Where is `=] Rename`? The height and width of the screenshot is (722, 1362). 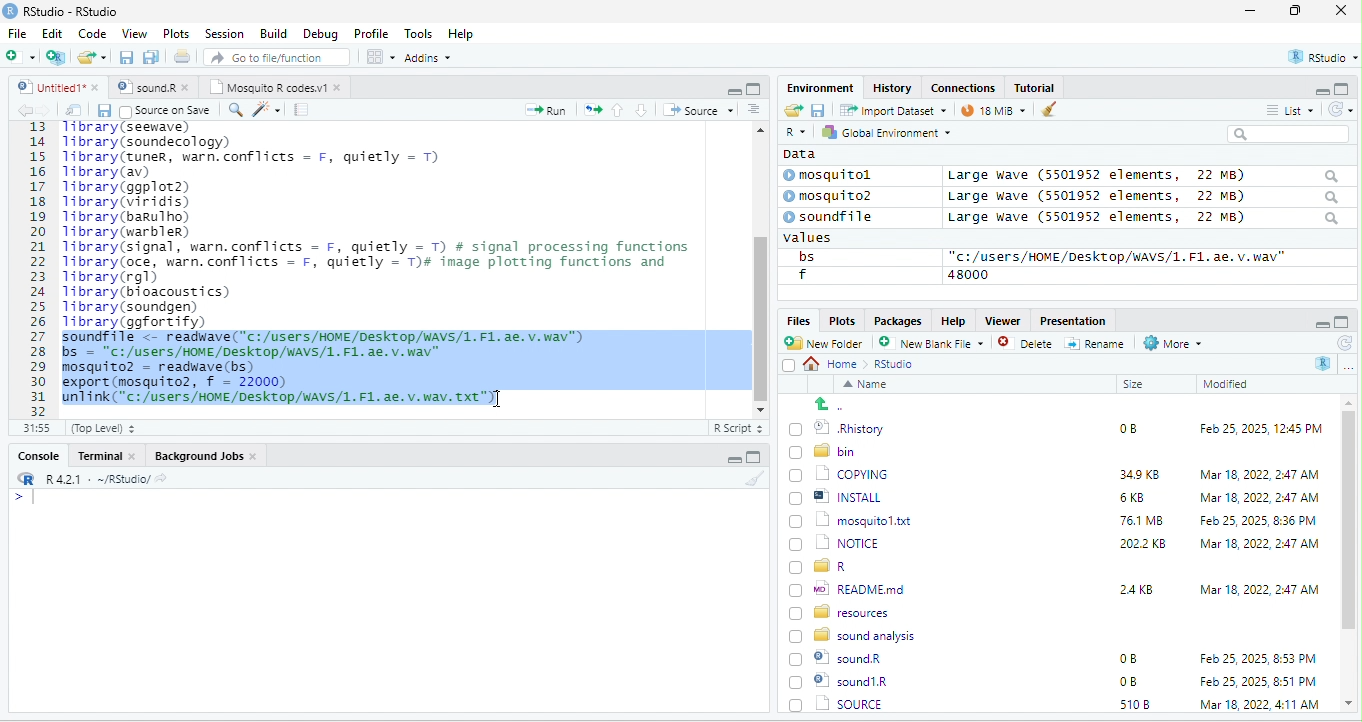
=] Rename is located at coordinates (1096, 343).